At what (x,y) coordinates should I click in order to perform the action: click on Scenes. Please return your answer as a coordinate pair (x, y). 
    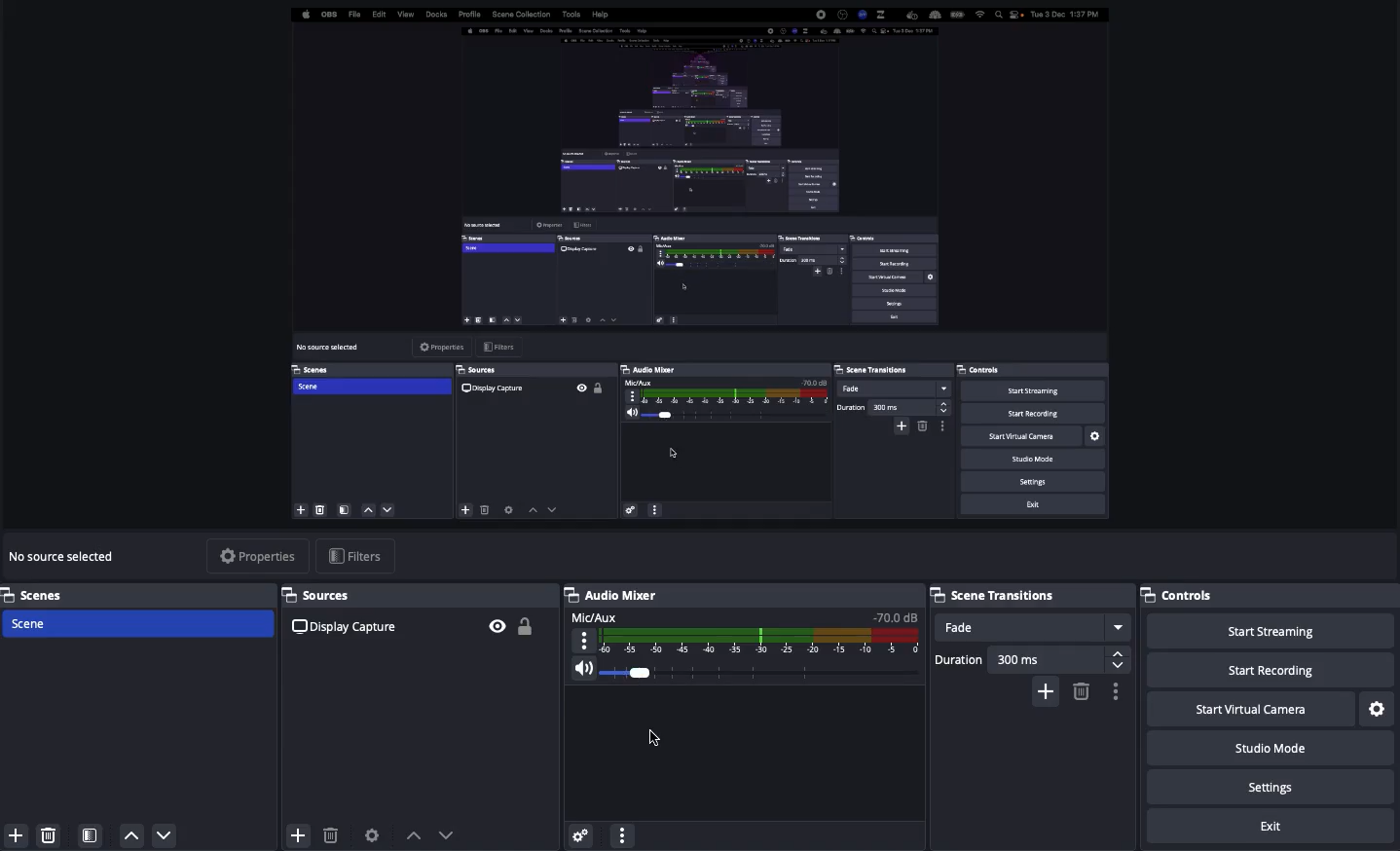
    Looking at the image, I should click on (138, 594).